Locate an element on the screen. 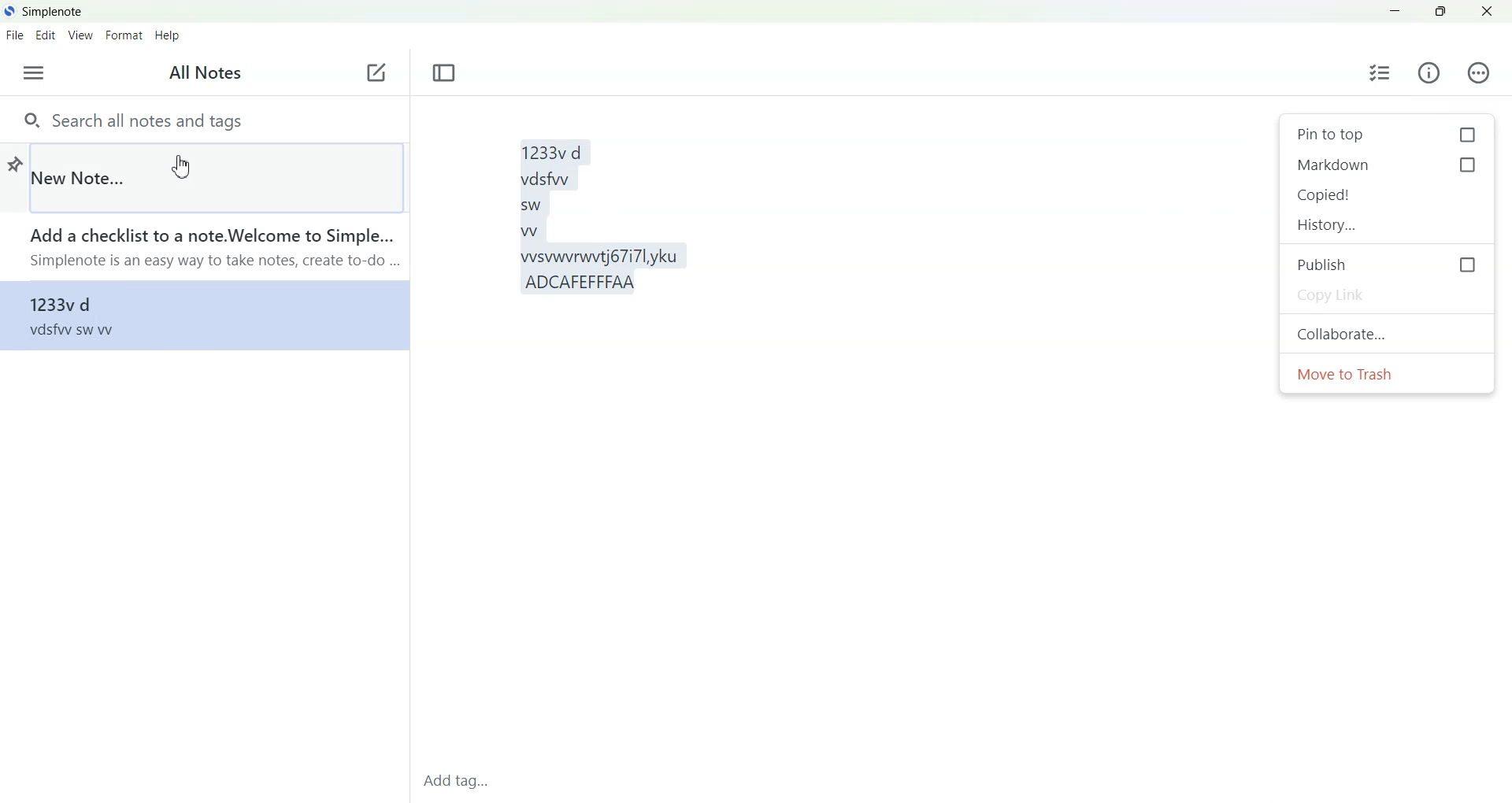 This screenshot has width=1512, height=803. Maximize is located at coordinates (1442, 12).